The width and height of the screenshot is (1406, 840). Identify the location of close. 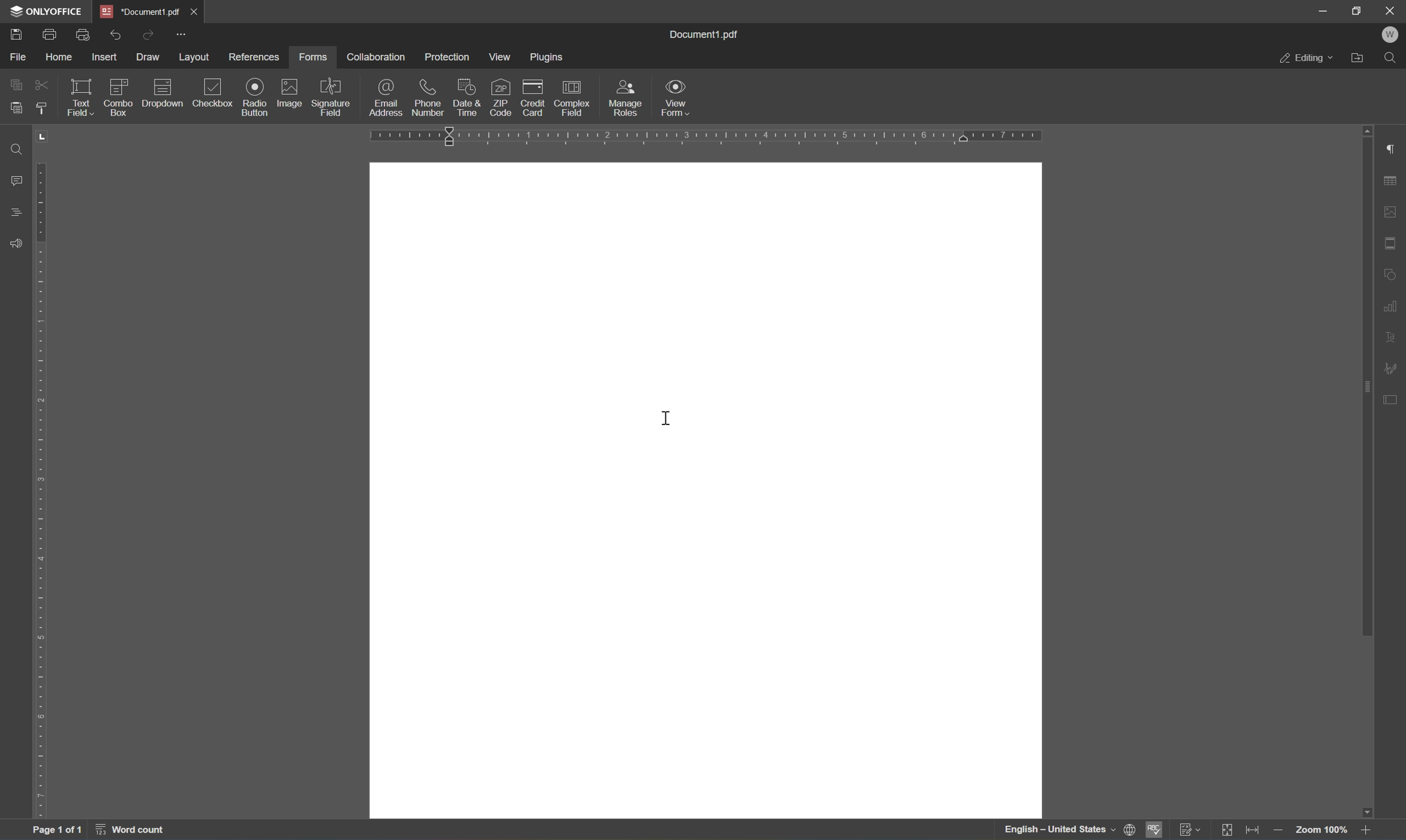
(193, 10).